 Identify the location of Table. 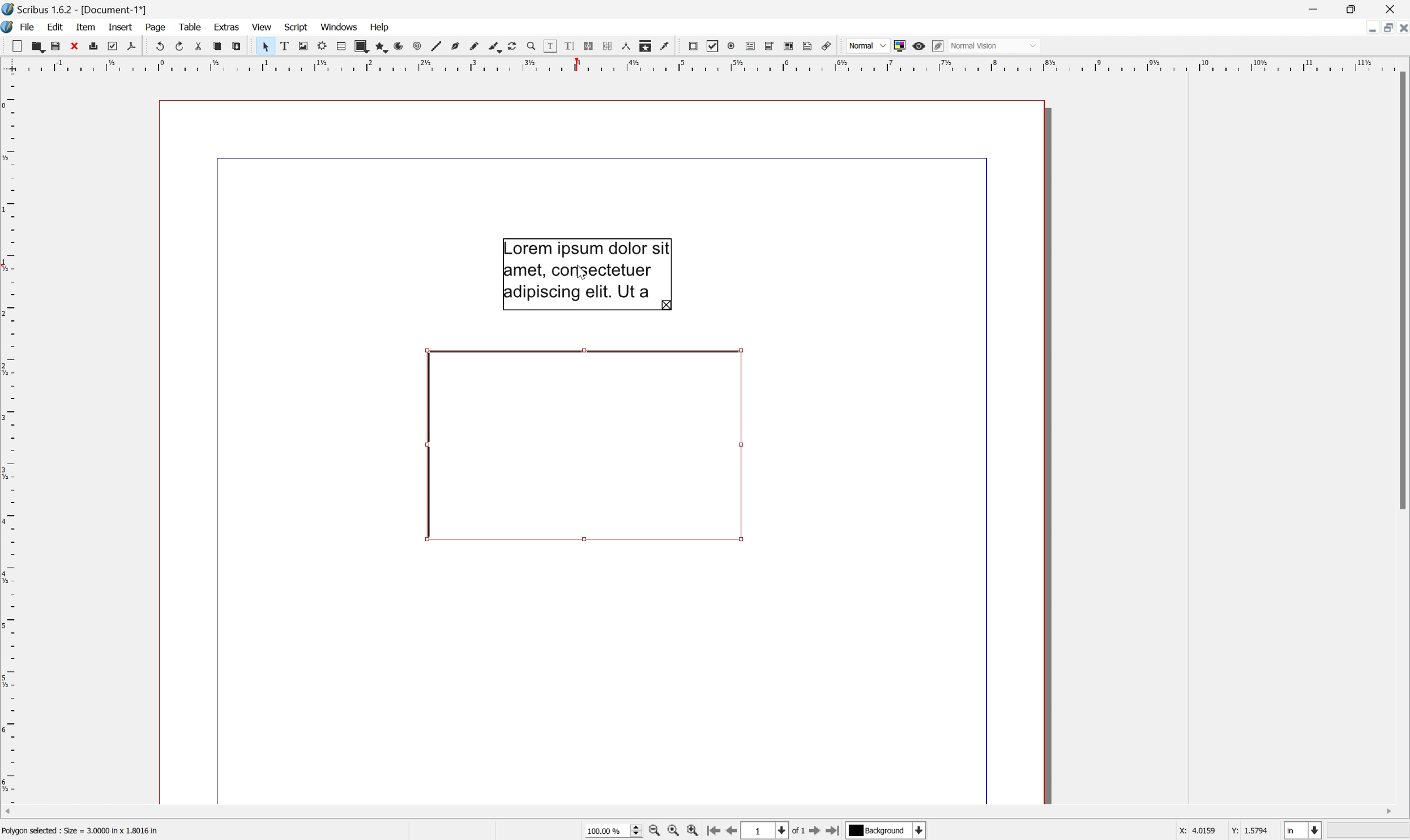
(341, 45).